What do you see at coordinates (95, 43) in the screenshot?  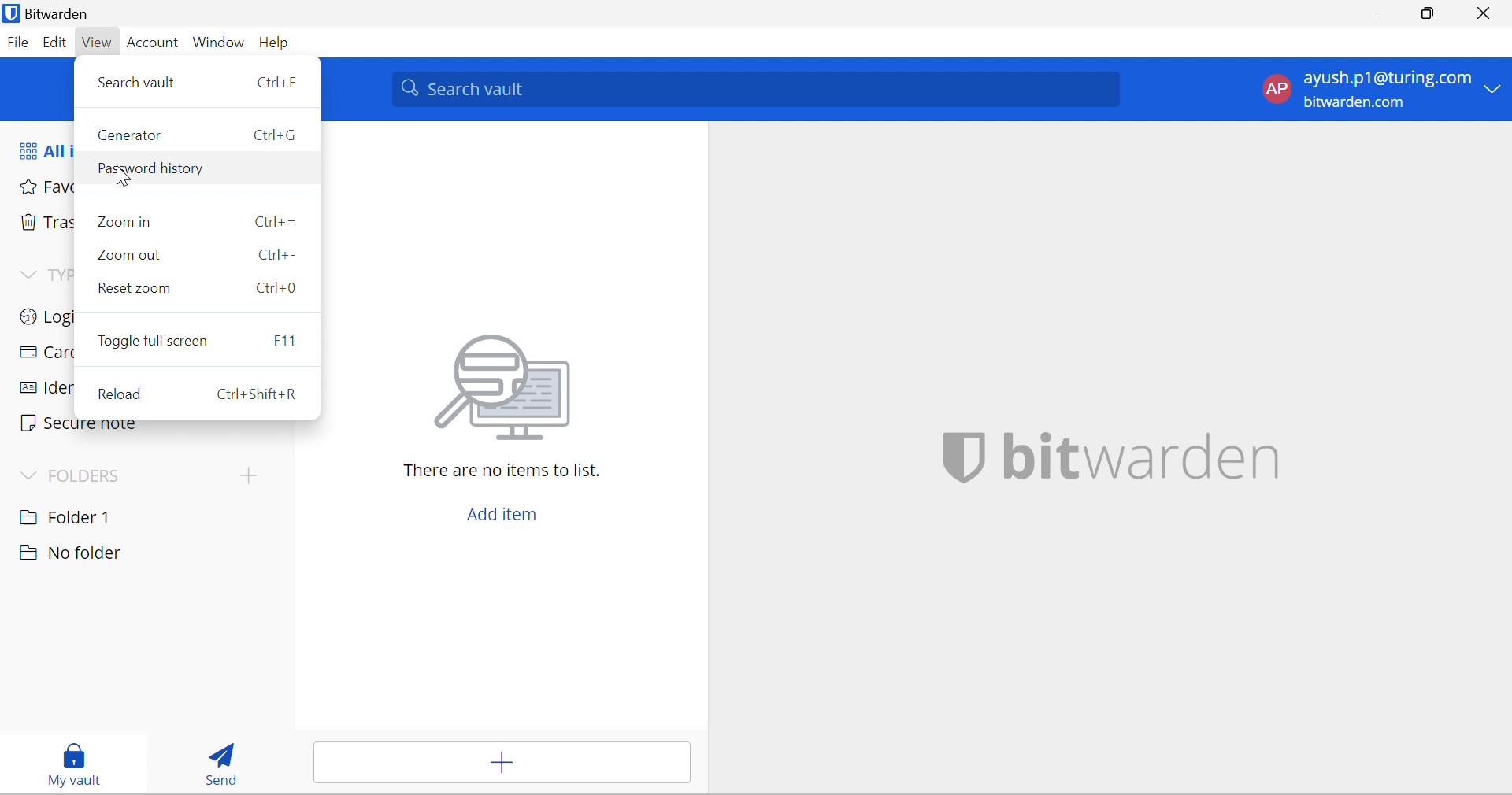 I see `view` at bounding box center [95, 43].